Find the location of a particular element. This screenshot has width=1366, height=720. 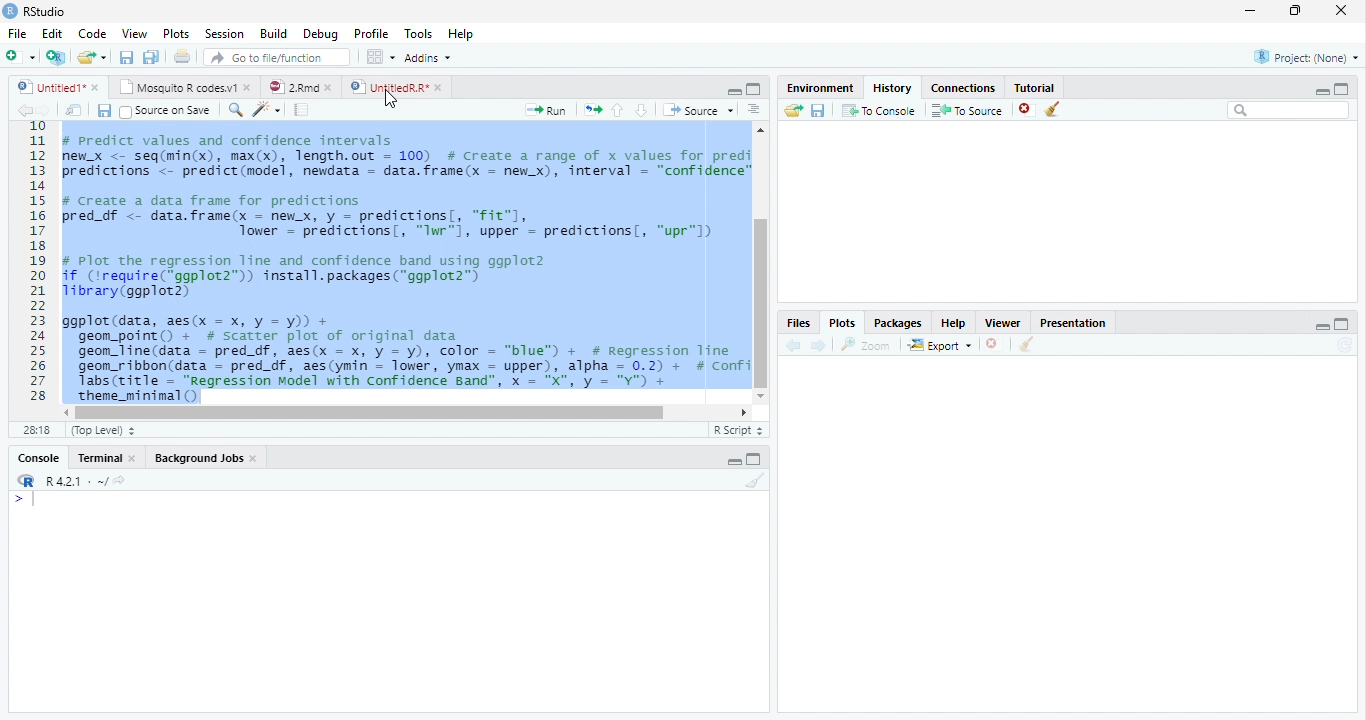

Maximize is located at coordinates (1294, 10).